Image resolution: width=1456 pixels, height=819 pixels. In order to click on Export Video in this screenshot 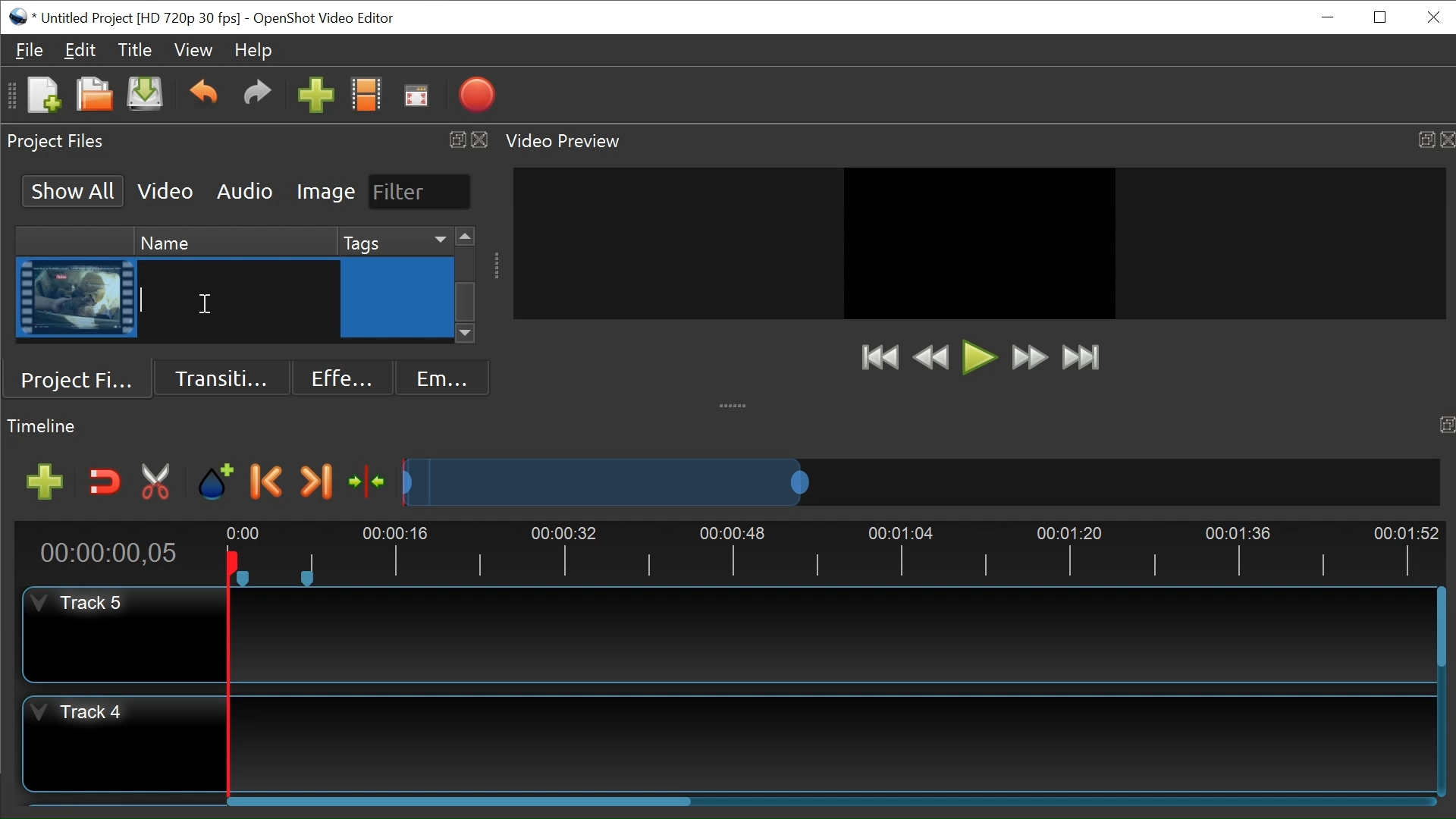, I will do `click(476, 96)`.